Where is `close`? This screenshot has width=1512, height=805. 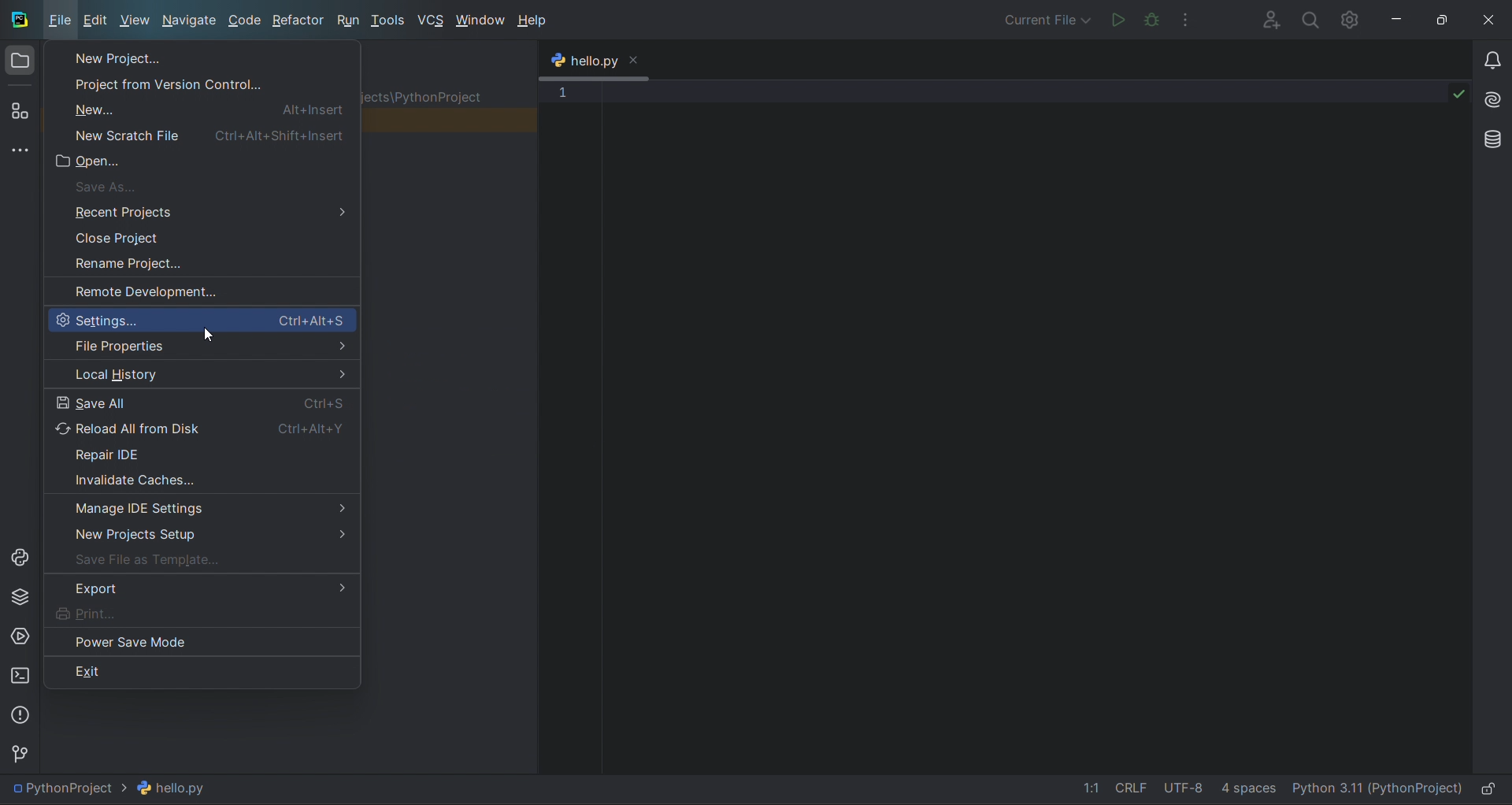 close is located at coordinates (203, 236).